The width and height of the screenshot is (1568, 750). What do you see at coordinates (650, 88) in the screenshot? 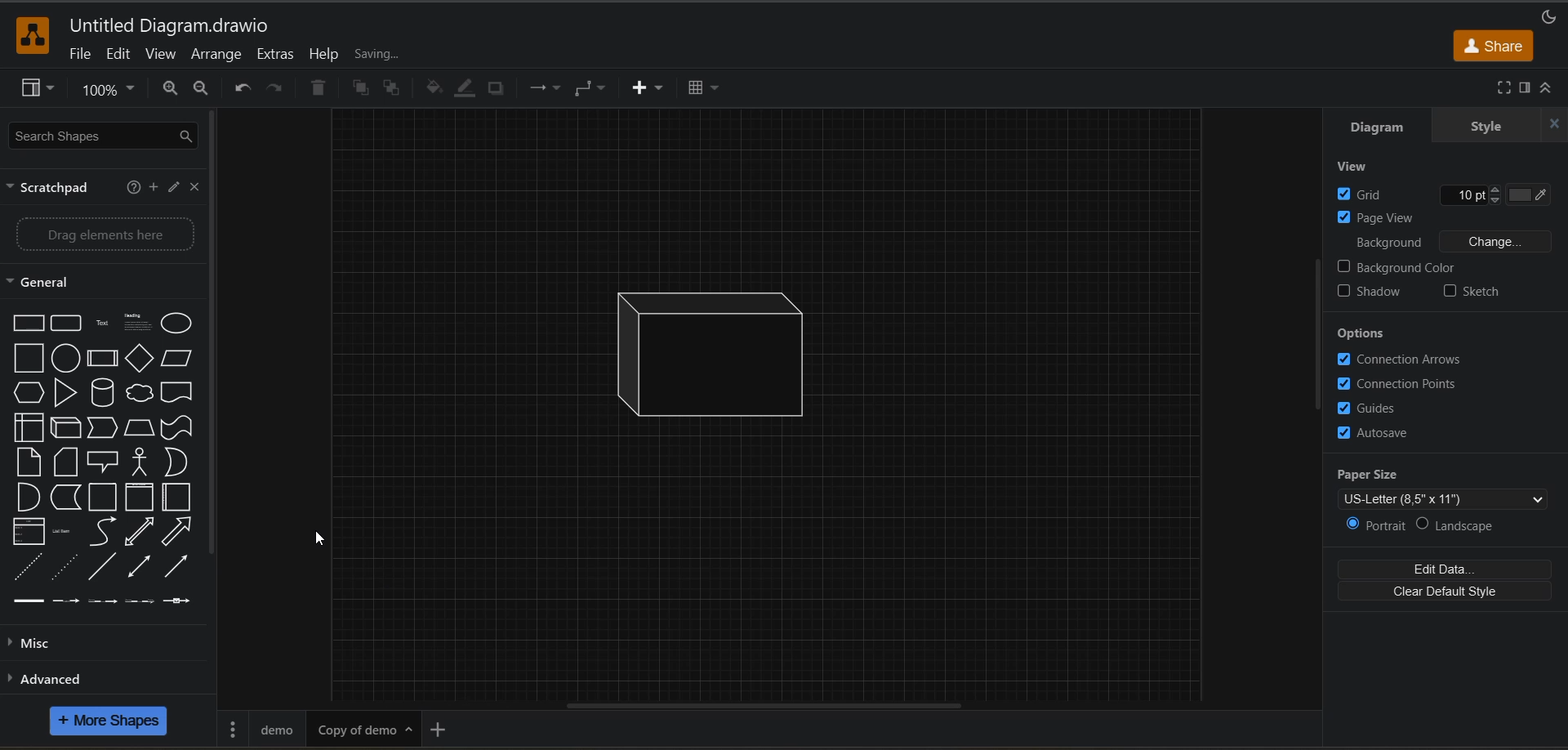
I see `insert` at bounding box center [650, 88].